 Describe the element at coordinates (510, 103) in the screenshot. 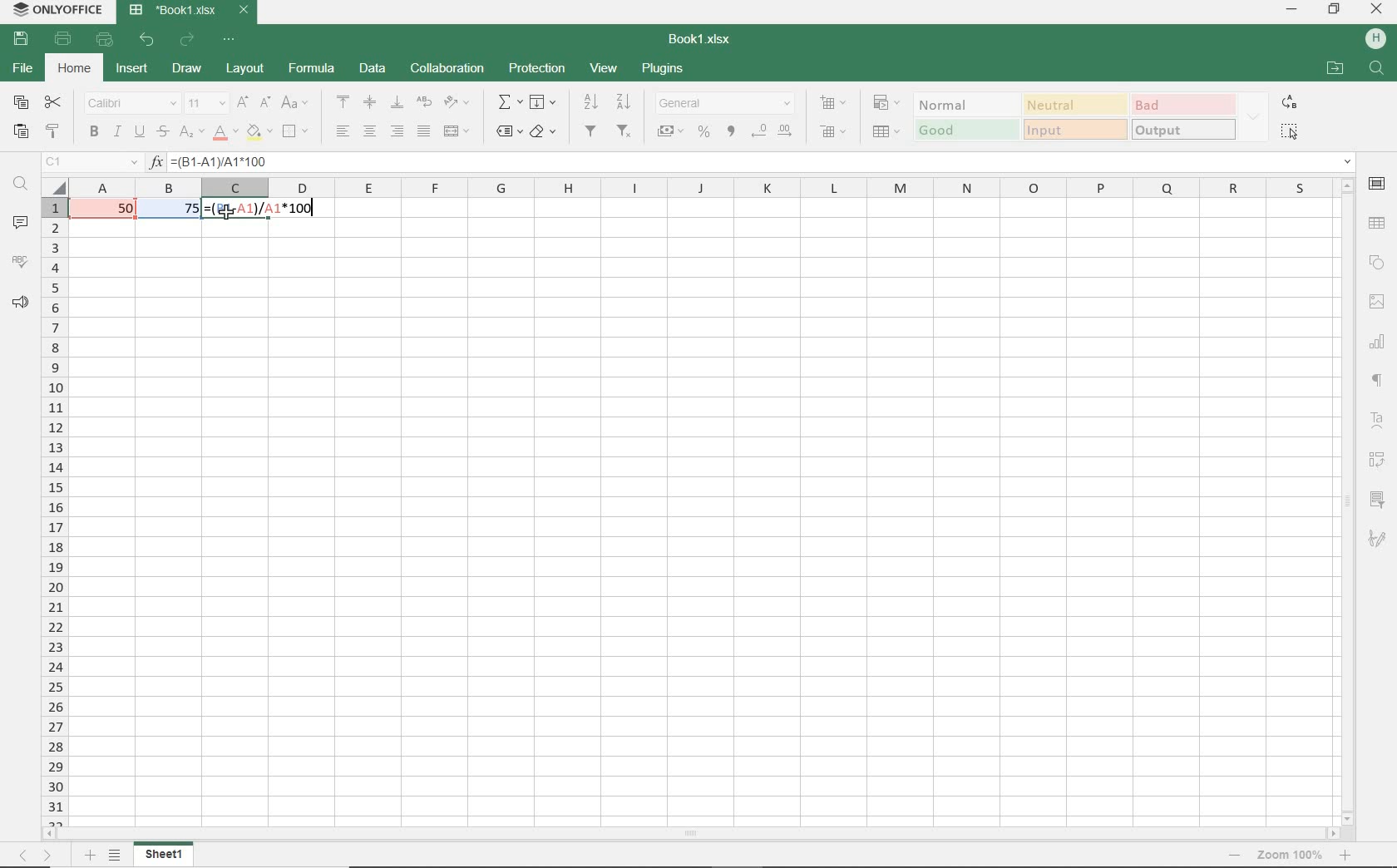

I see `summation` at that location.